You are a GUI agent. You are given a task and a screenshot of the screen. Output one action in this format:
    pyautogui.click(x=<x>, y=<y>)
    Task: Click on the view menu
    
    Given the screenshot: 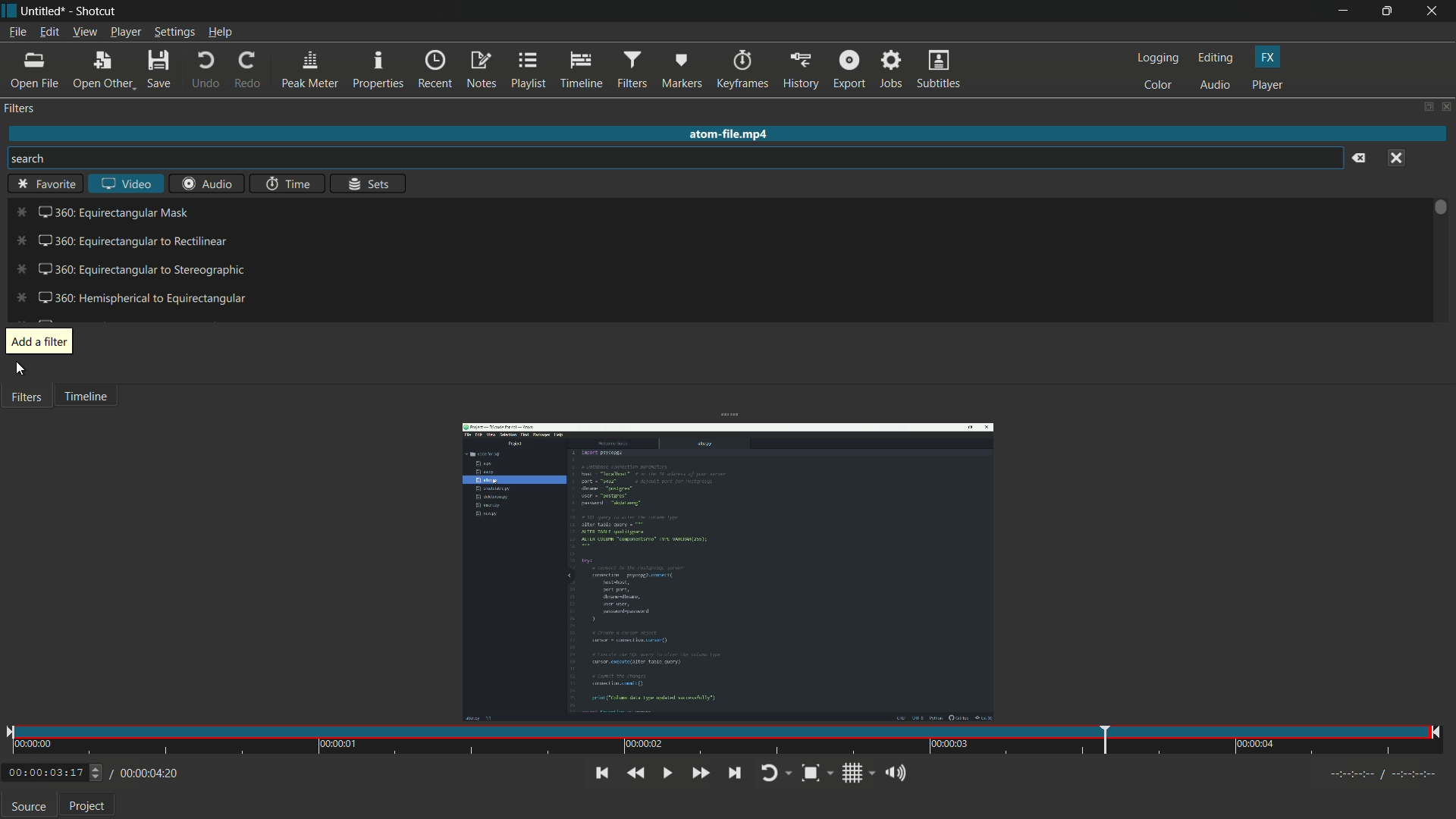 What is the action you would take?
    pyautogui.click(x=84, y=33)
    